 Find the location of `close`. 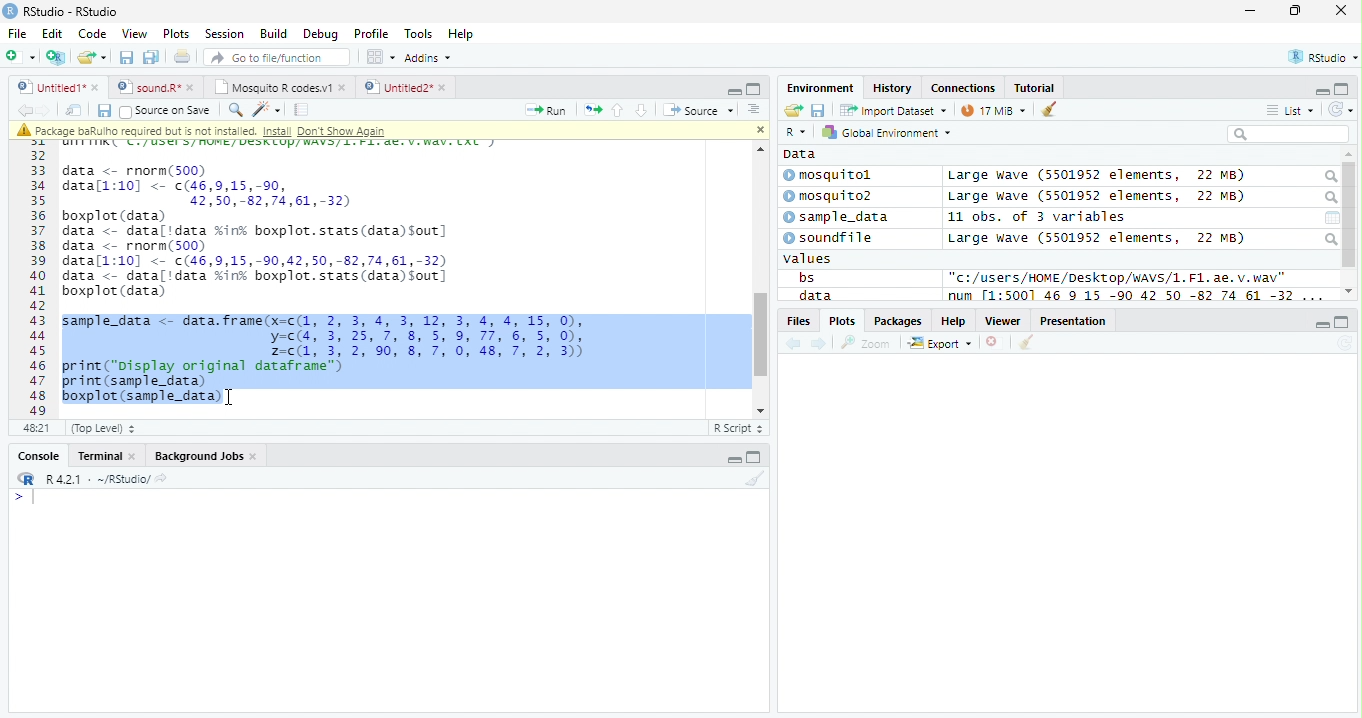

close is located at coordinates (759, 130).